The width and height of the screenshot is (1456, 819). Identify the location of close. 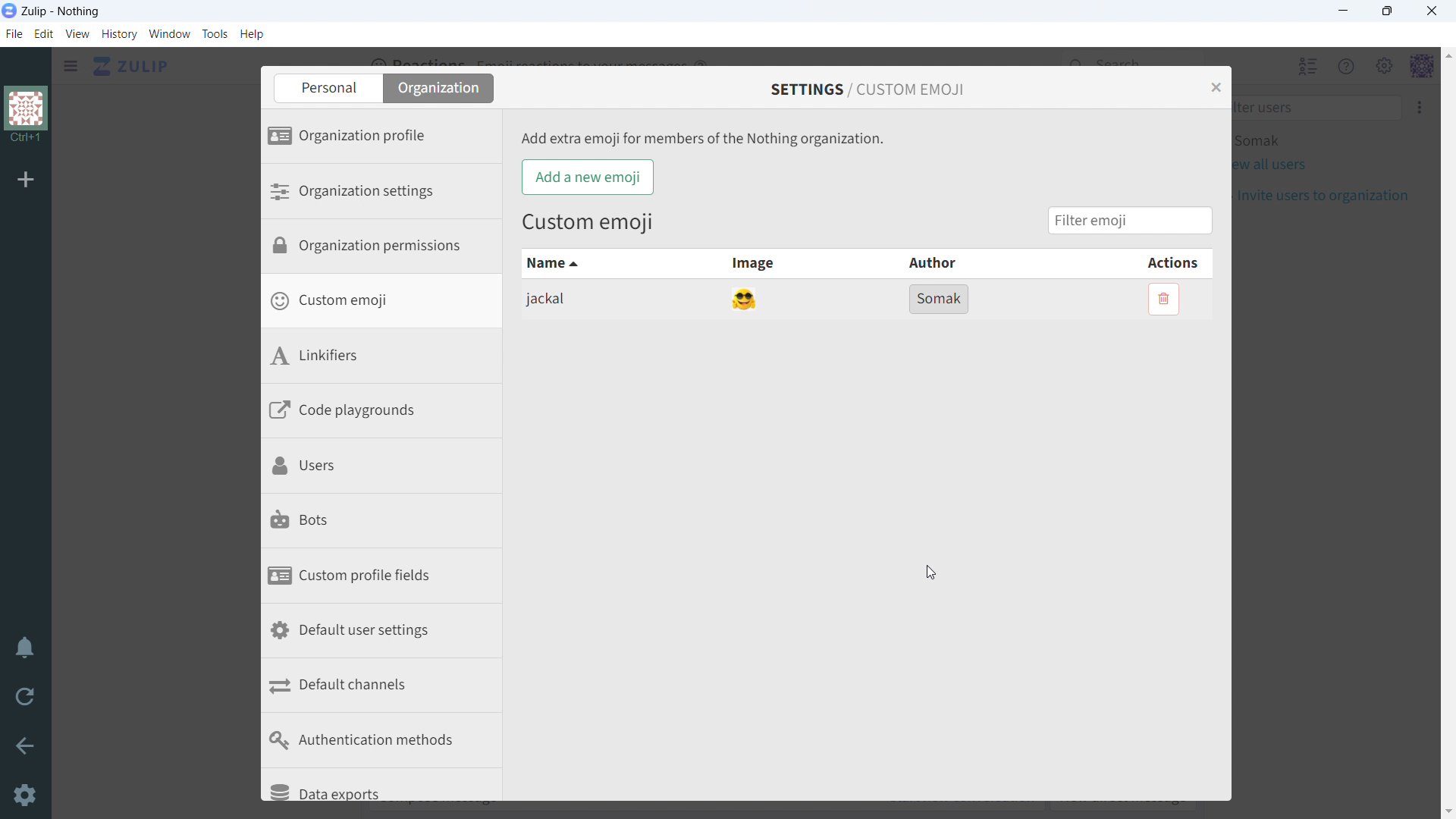
(1222, 86).